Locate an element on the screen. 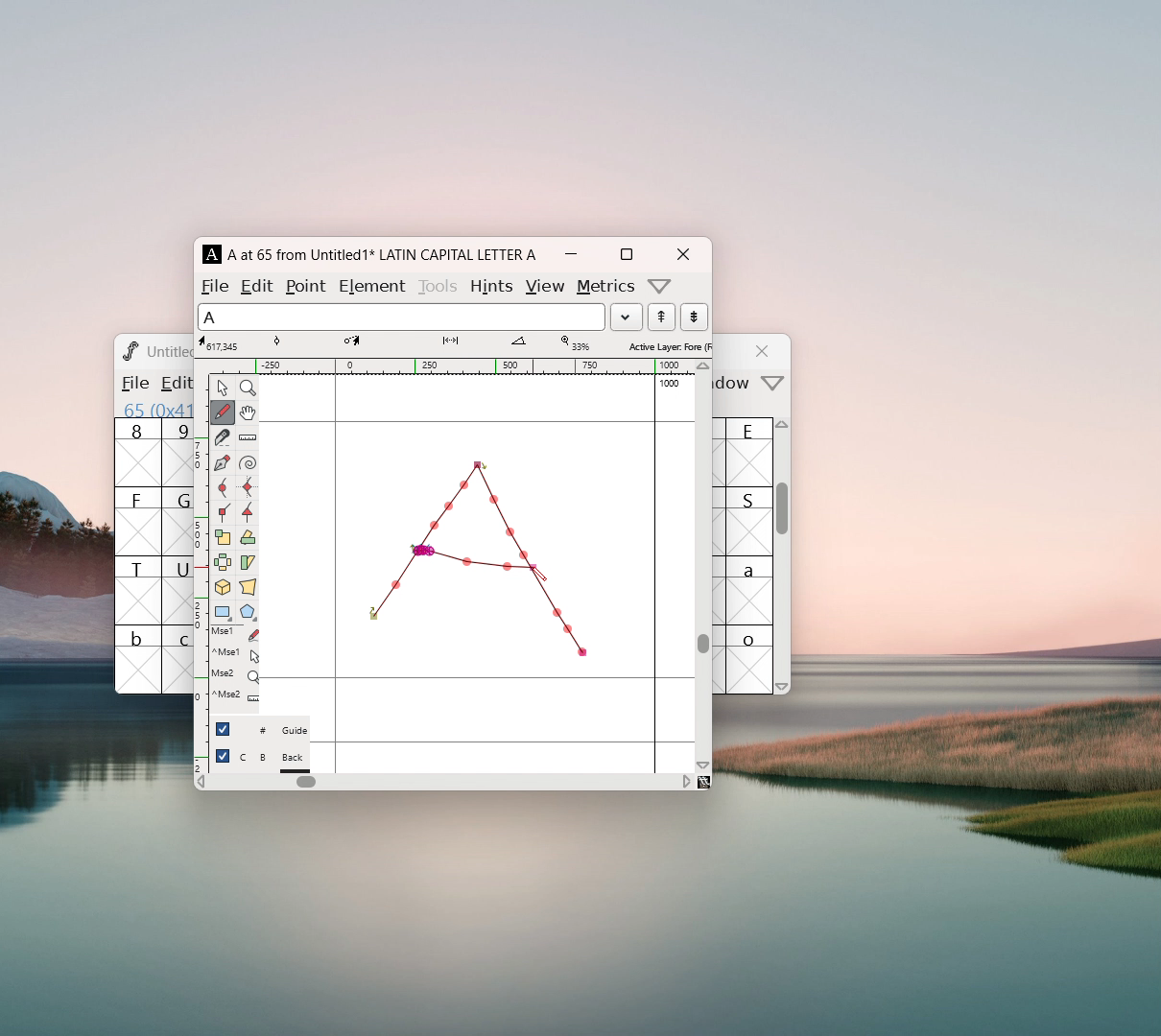 The height and width of the screenshot is (1036, 1161). measure distance, angle between points is located at coordinates (248, 438).